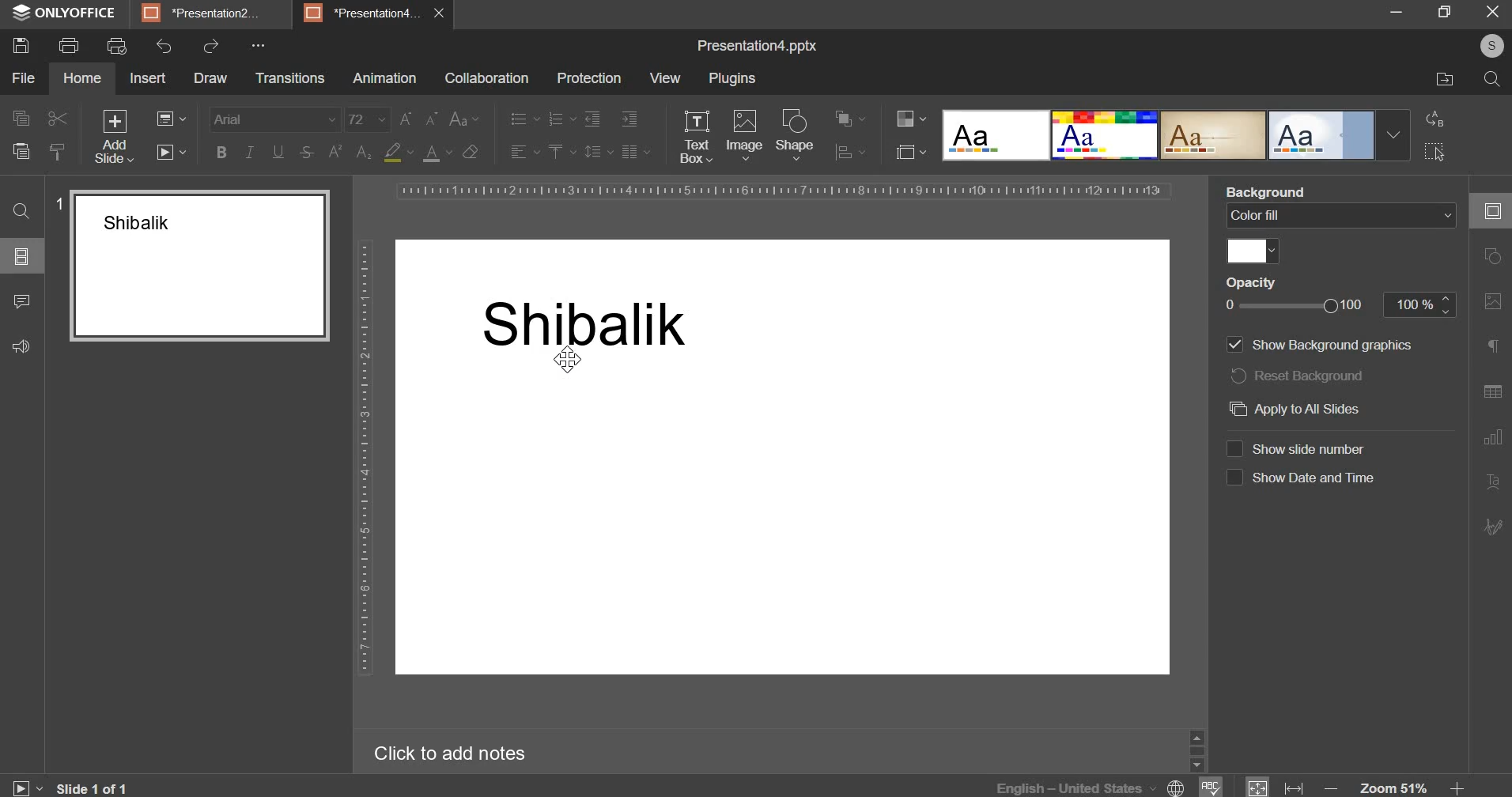 Image resolution: width=1512 pixels, height=797 pixels. Describe the element at coordinates (911, 152) in the screenshot. I see `select slide size` at that location.